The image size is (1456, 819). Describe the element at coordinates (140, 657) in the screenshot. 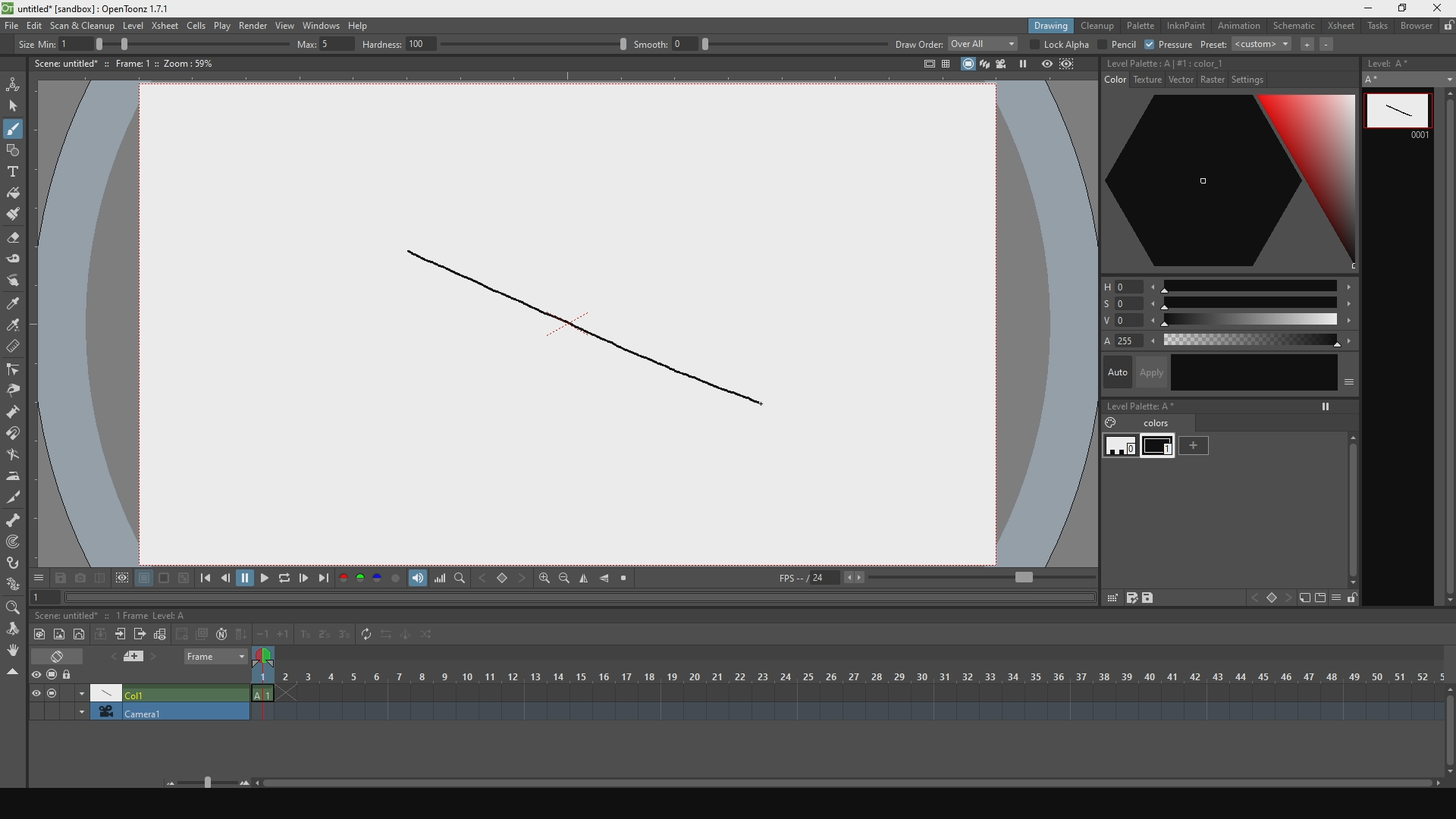

I see `previous and next file` at that location.